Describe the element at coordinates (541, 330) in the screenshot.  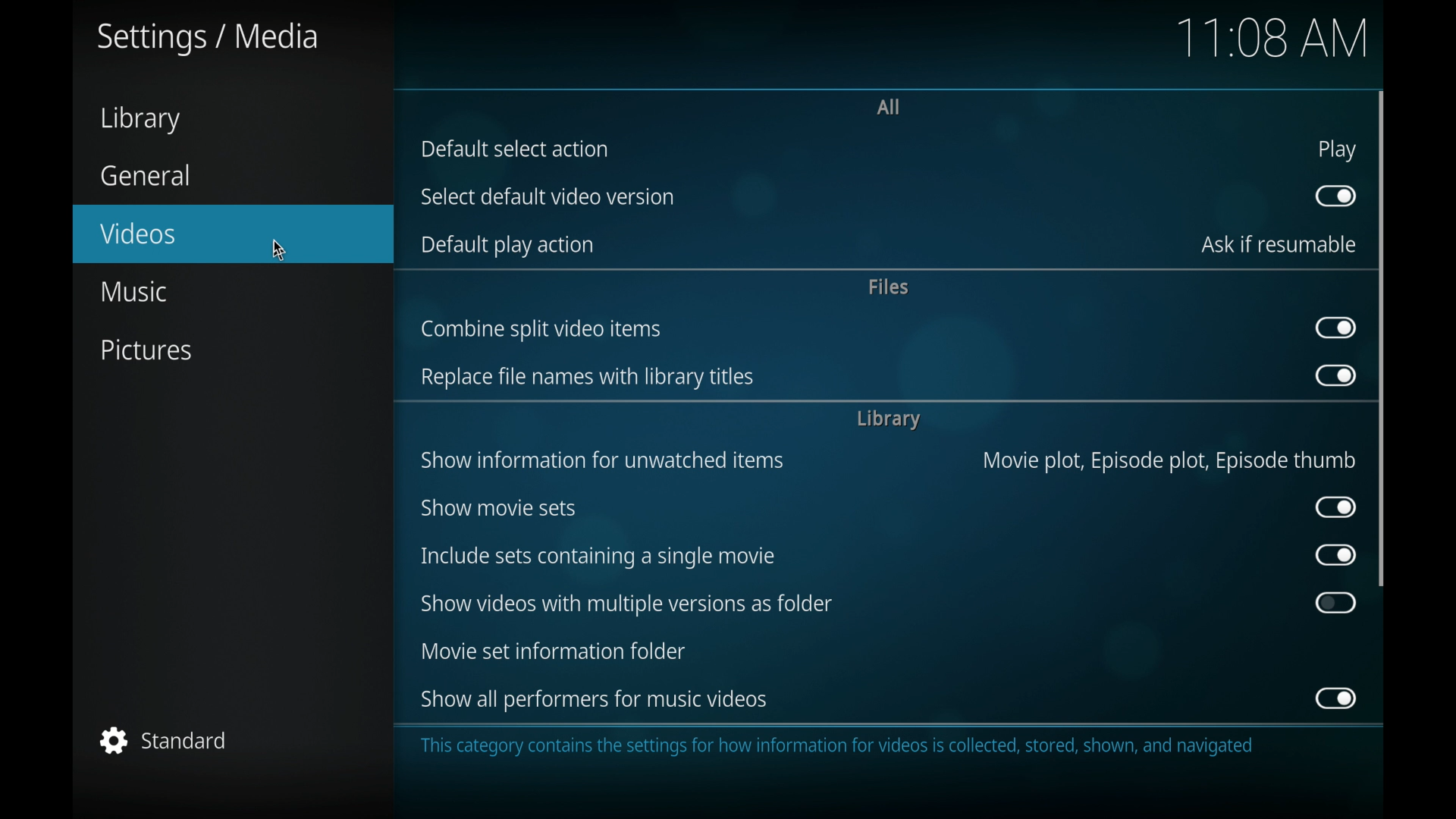
I see `combine split video items` at that location.